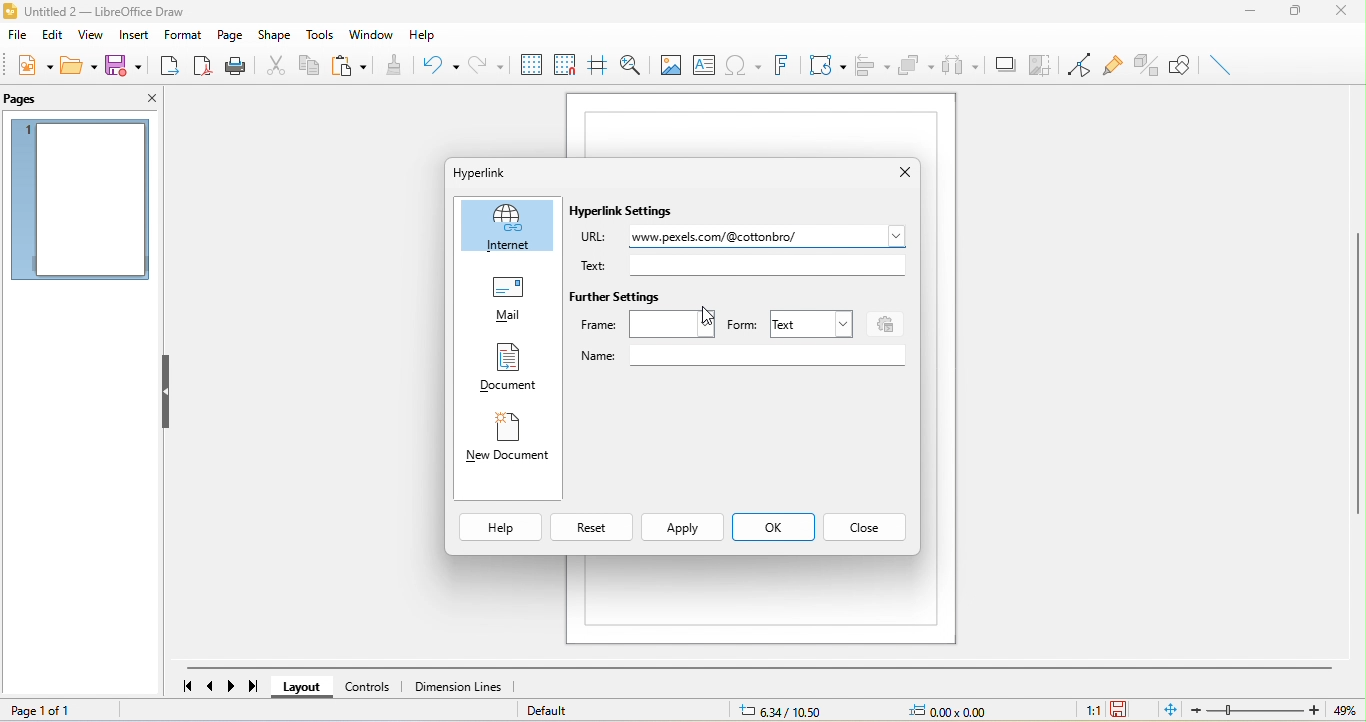  What do you see at coordinates (1110, 65) in the screenshot?
I see `gluepoint function` at bounding box center [1110, 65].